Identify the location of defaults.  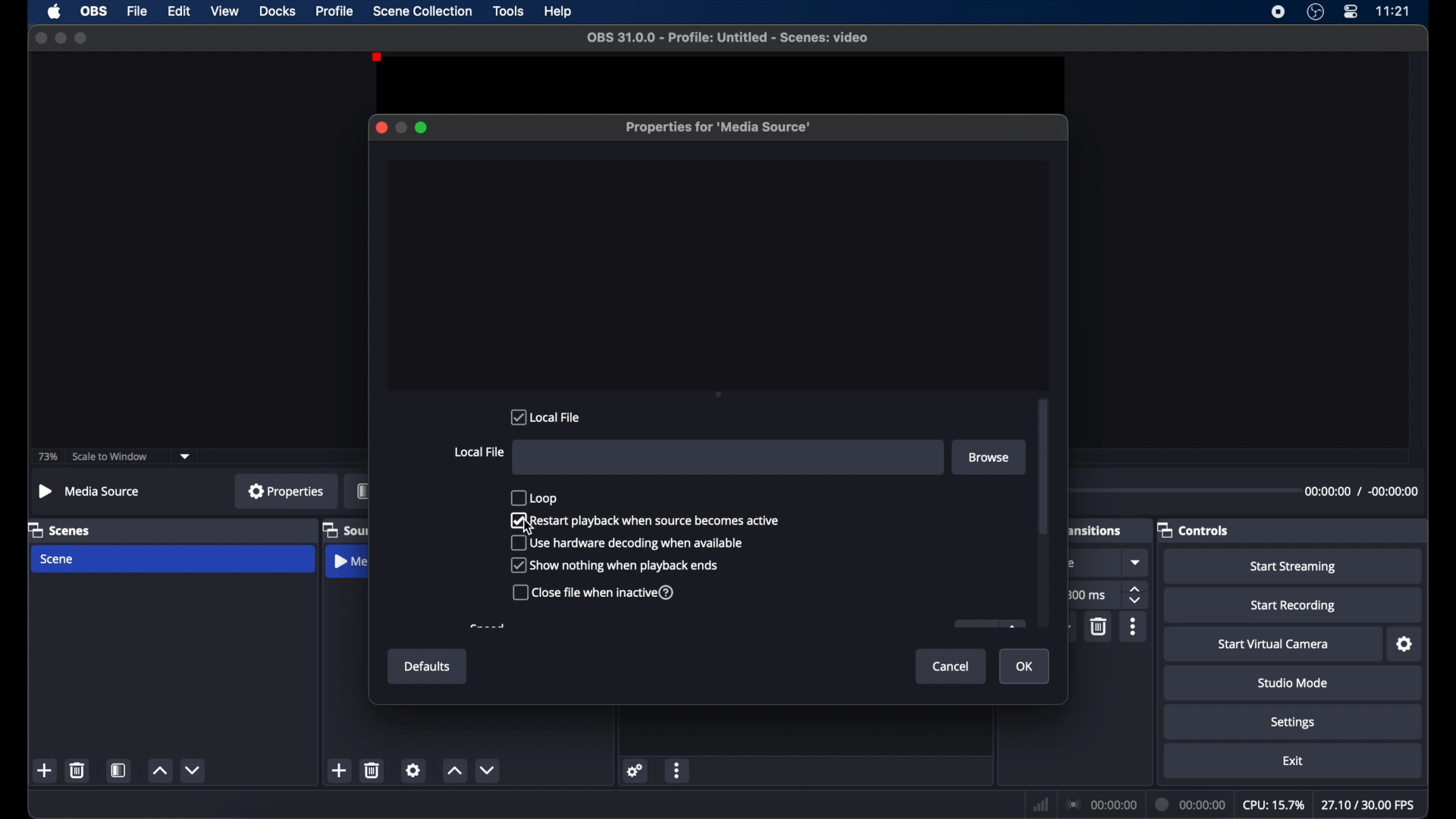
(428, 667).